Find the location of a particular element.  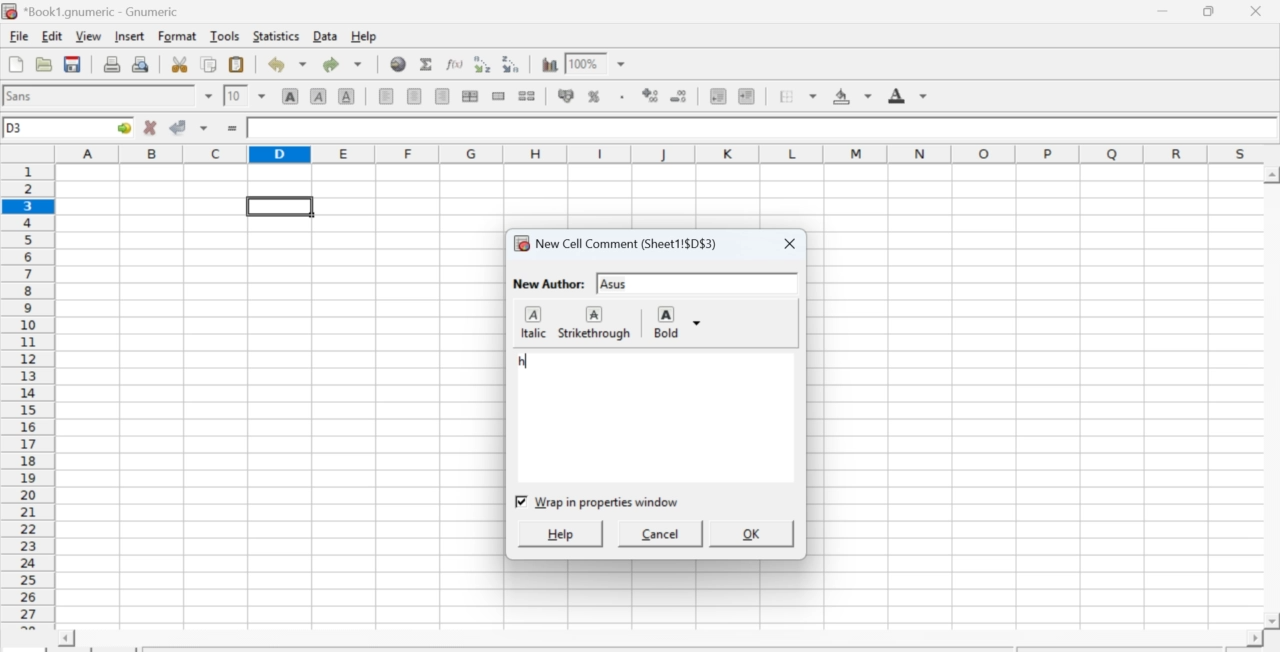

Increase number of decimals is located at coordinates (651, 95).